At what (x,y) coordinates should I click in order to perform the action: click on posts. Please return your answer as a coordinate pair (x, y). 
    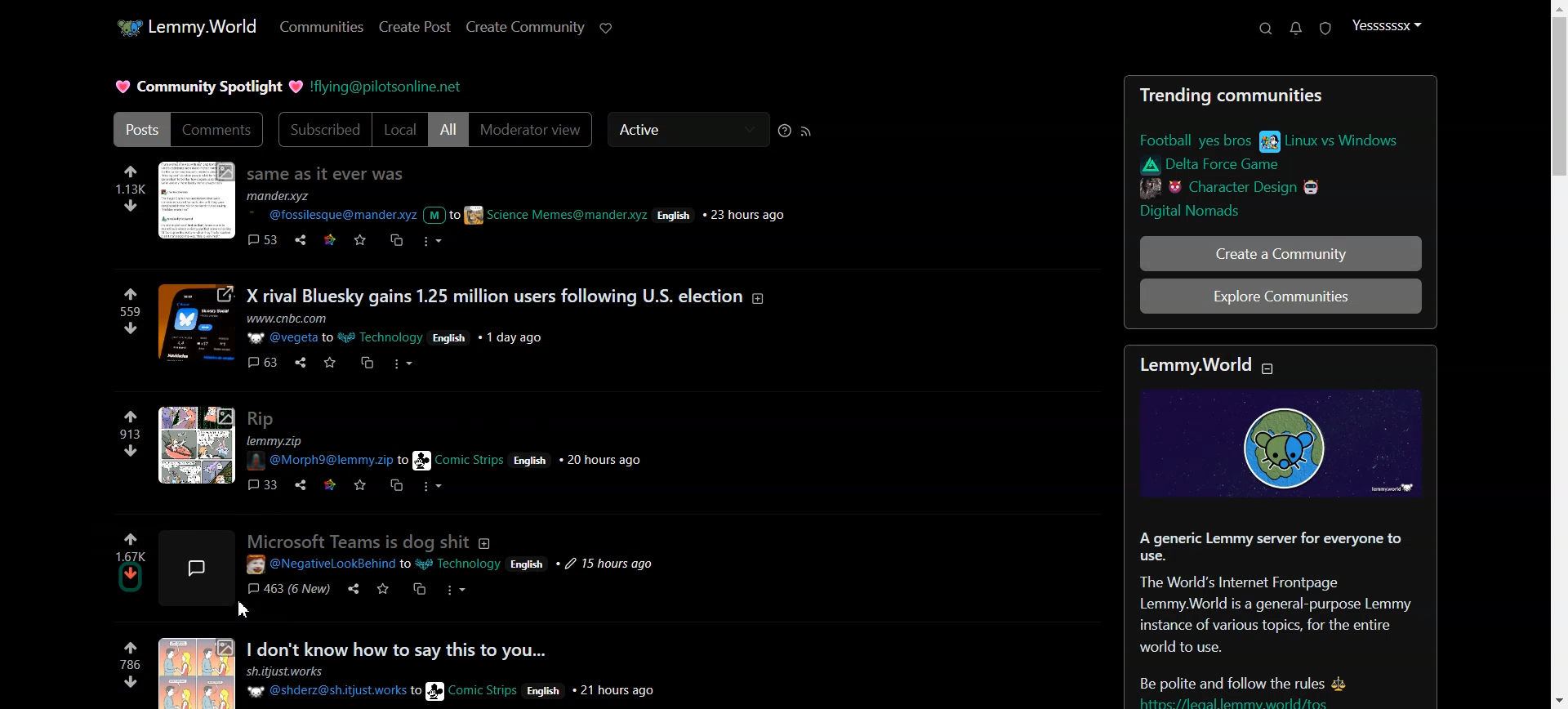
    Looking at the image, I should click on (261, 417).